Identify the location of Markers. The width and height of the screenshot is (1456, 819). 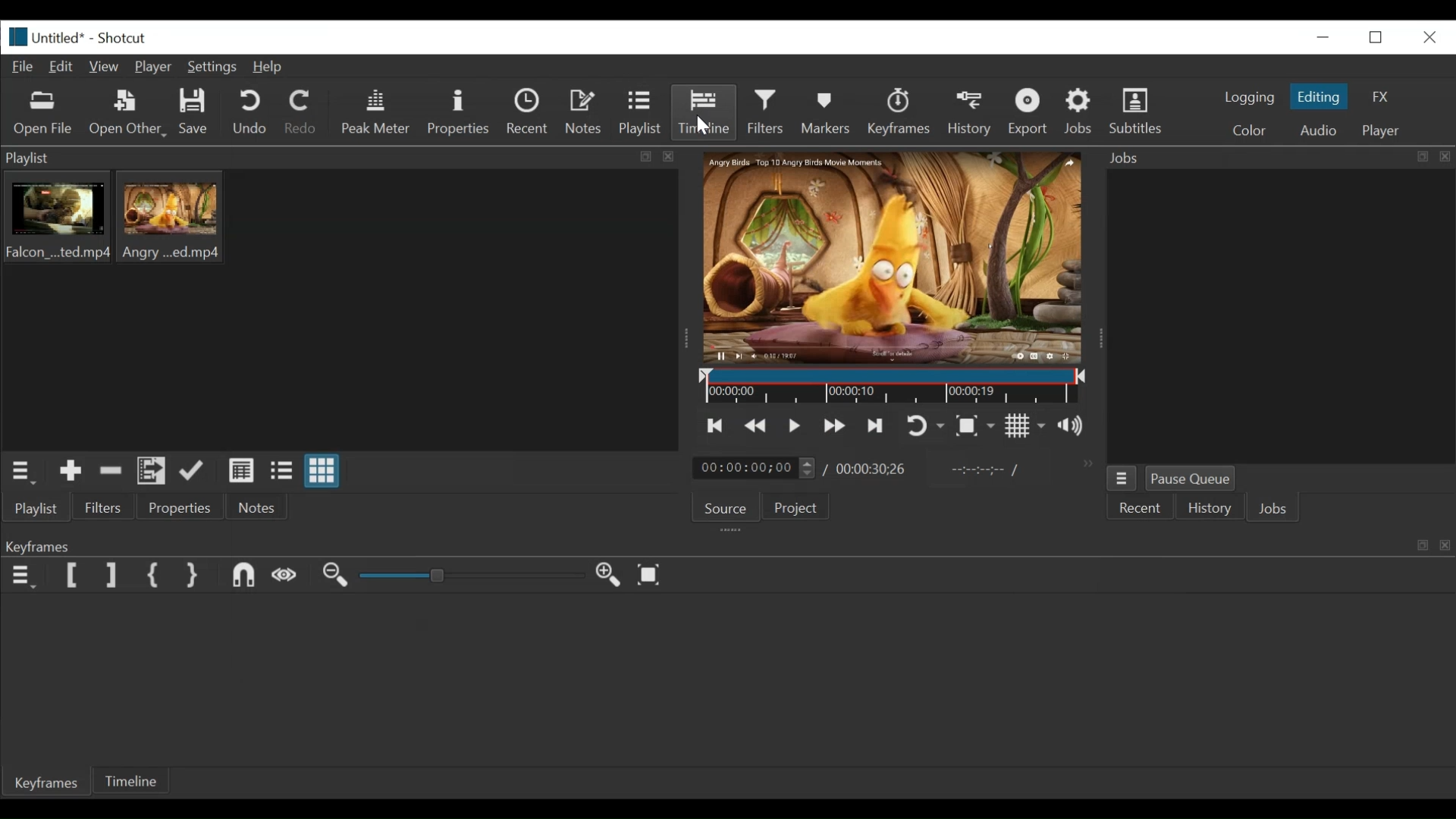
(829, 111).